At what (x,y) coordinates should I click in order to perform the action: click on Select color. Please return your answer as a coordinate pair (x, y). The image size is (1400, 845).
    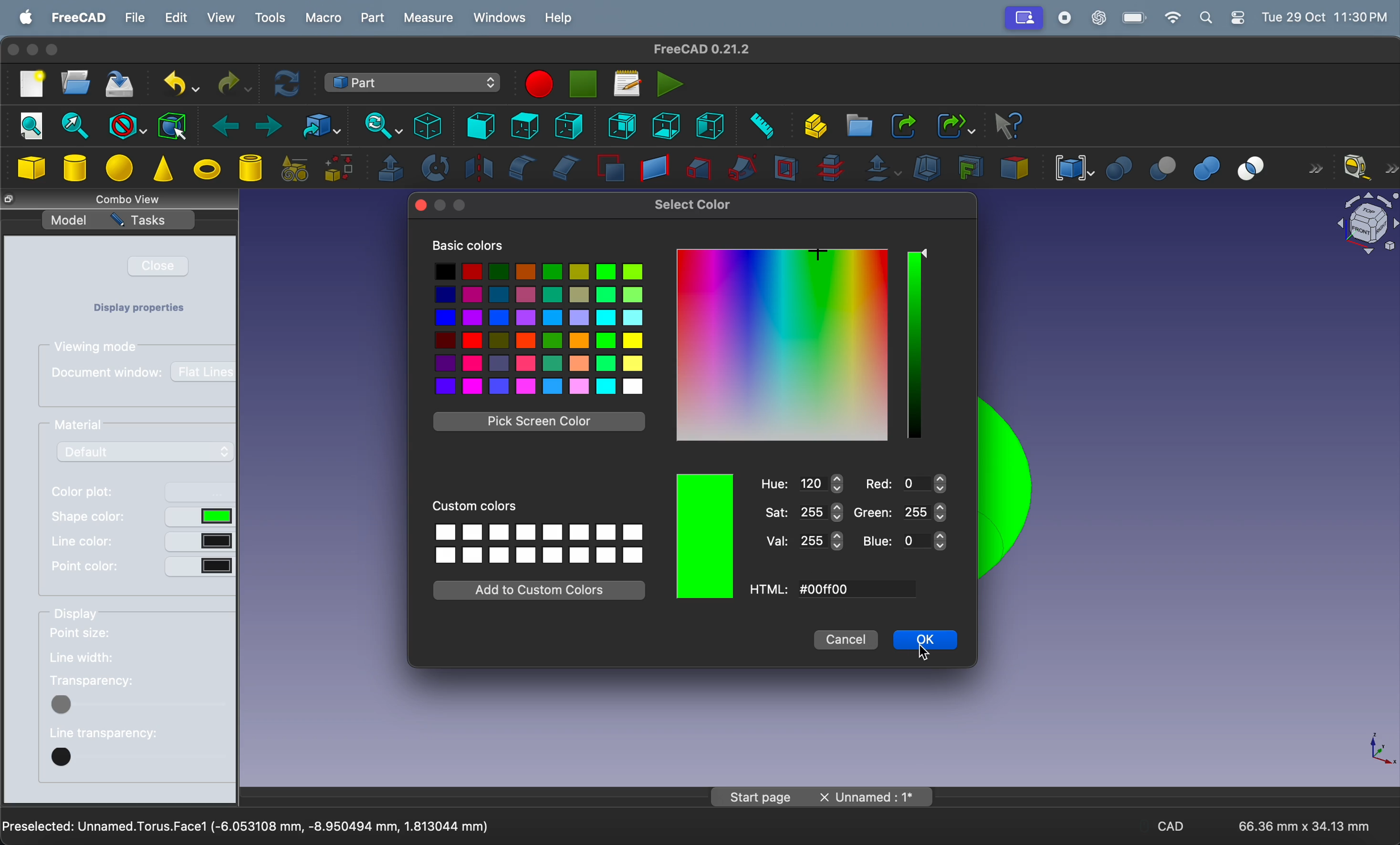
    Looking at the image, I should click on (693, 206).